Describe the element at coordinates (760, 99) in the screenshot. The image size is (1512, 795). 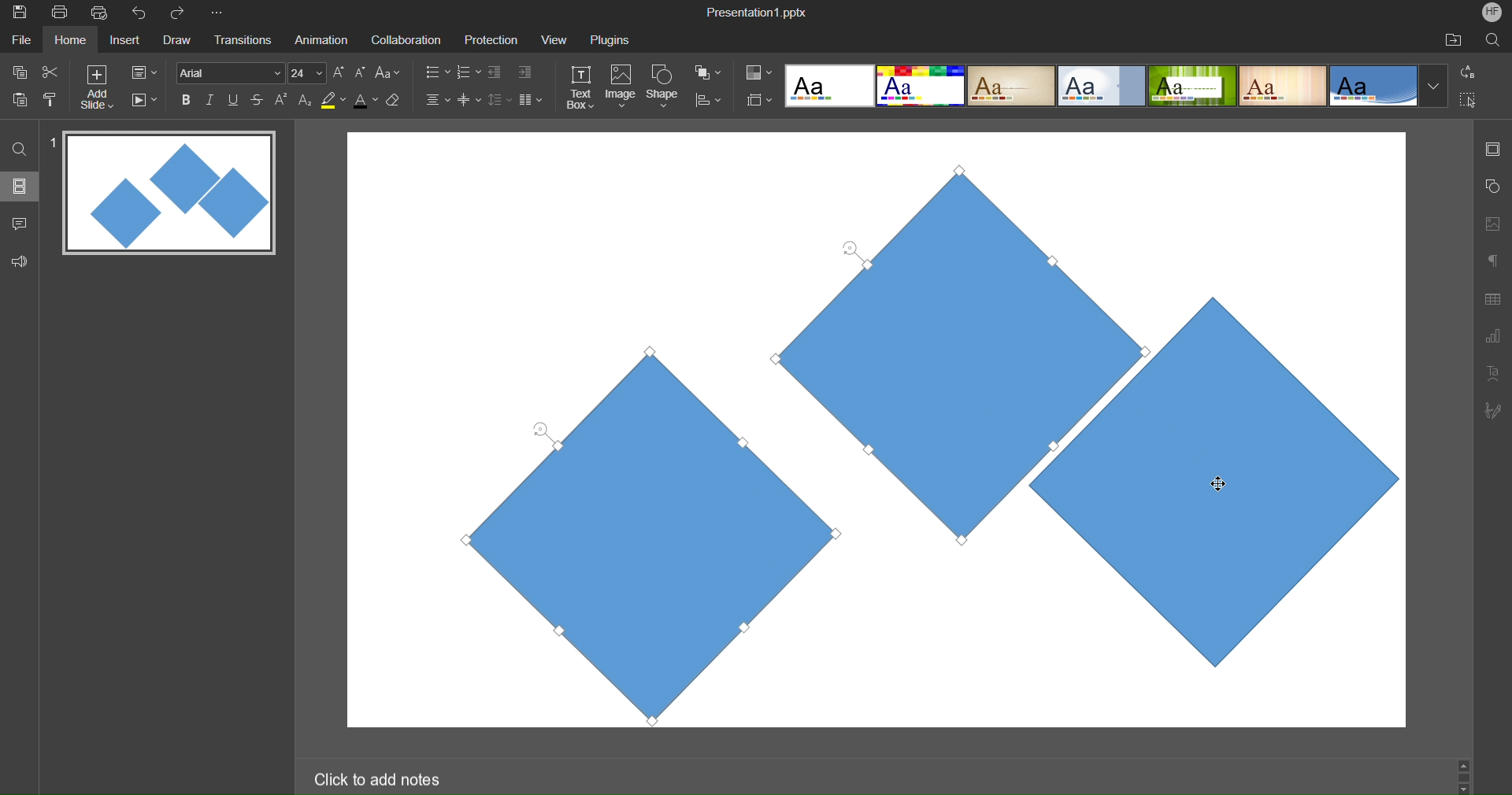
I see `Slide Size Settings` at that location.